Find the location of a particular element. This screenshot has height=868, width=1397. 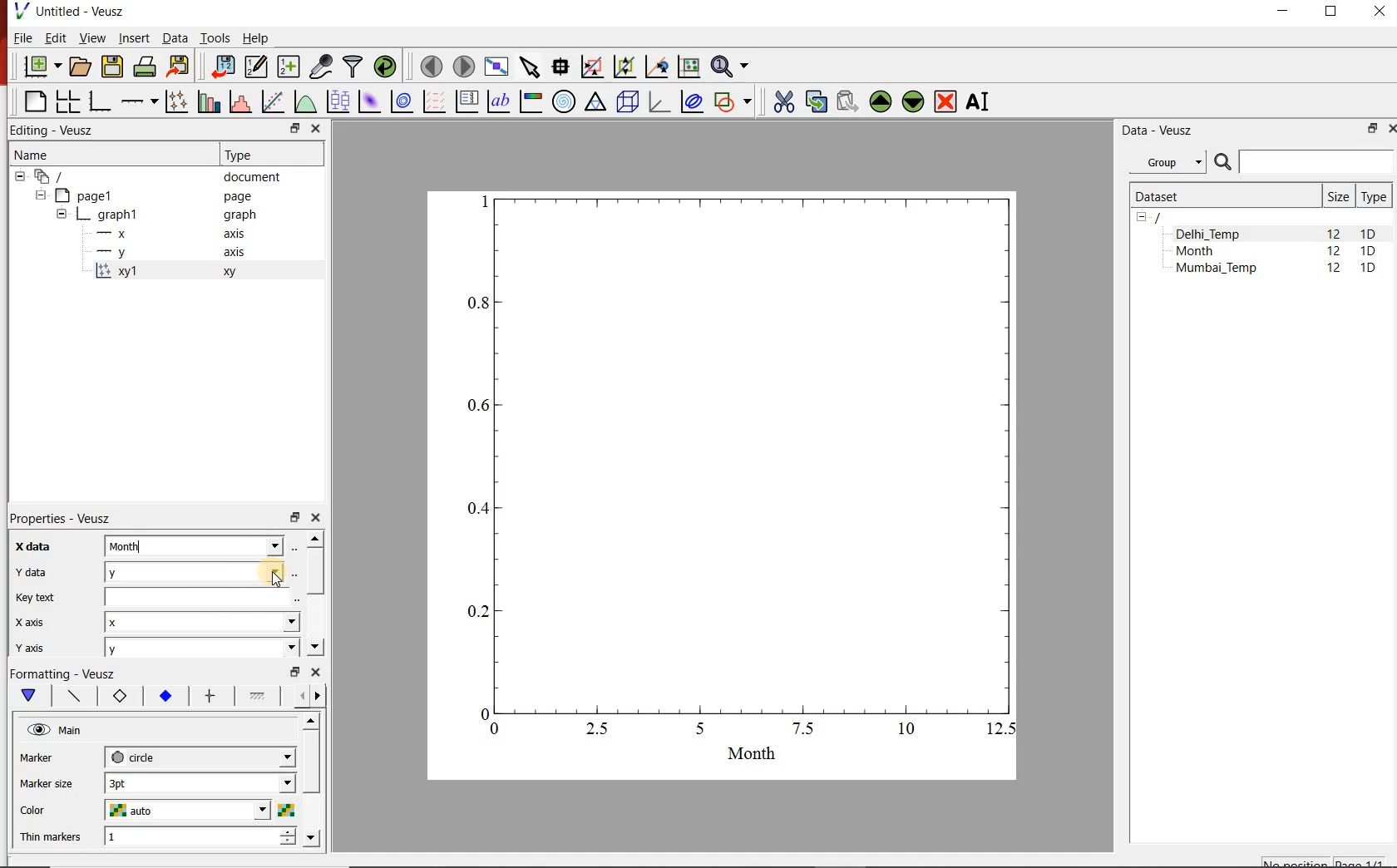

File is located at coordinates (22, 37).